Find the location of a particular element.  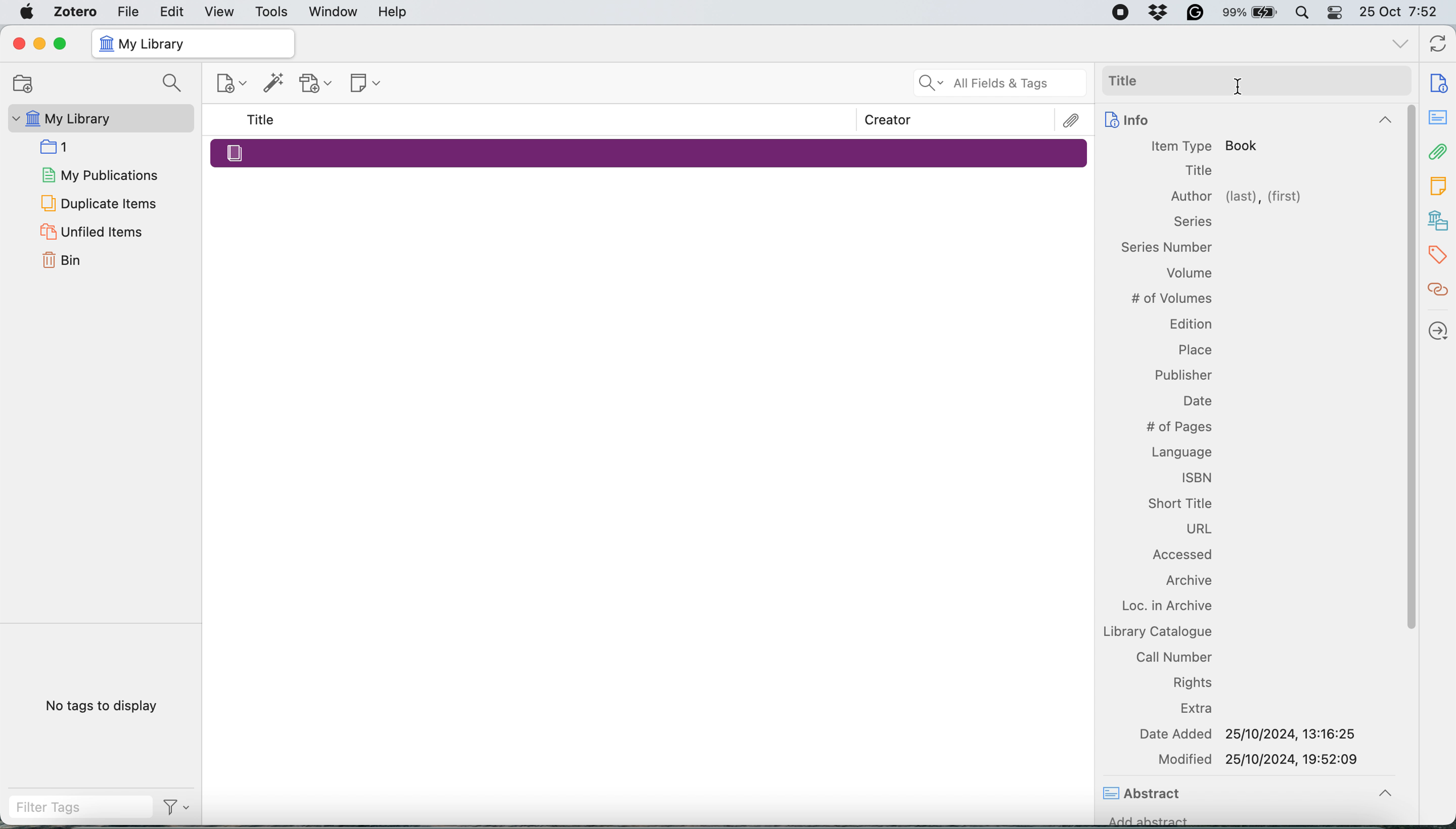

Add abstract  is located at coordinates (1149, 823).